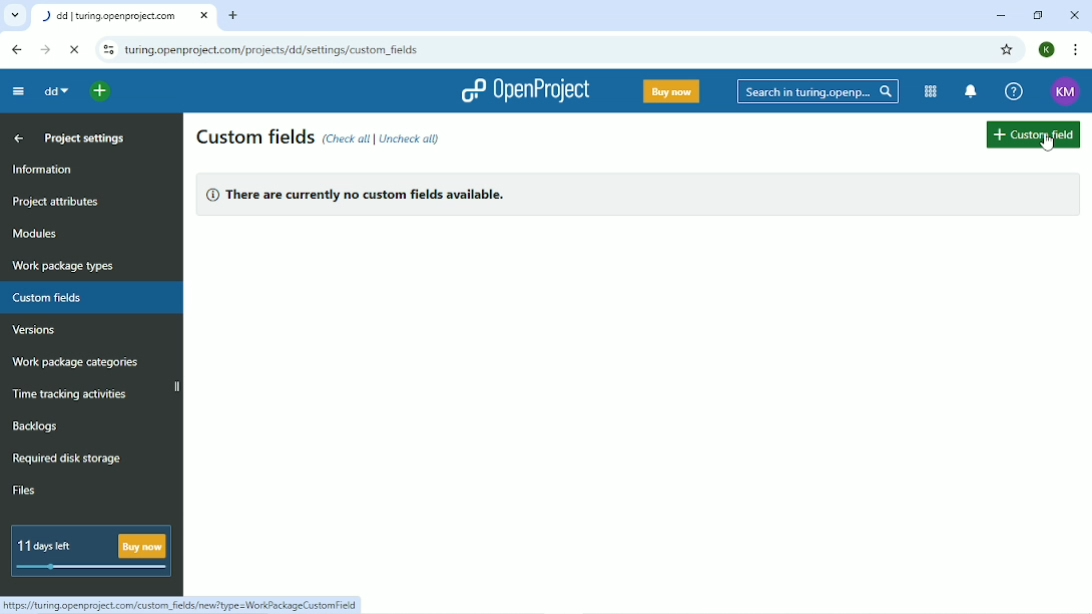  Describe the element at coordinates (1013, 92) in the screenshot. I see `Help` at that location.